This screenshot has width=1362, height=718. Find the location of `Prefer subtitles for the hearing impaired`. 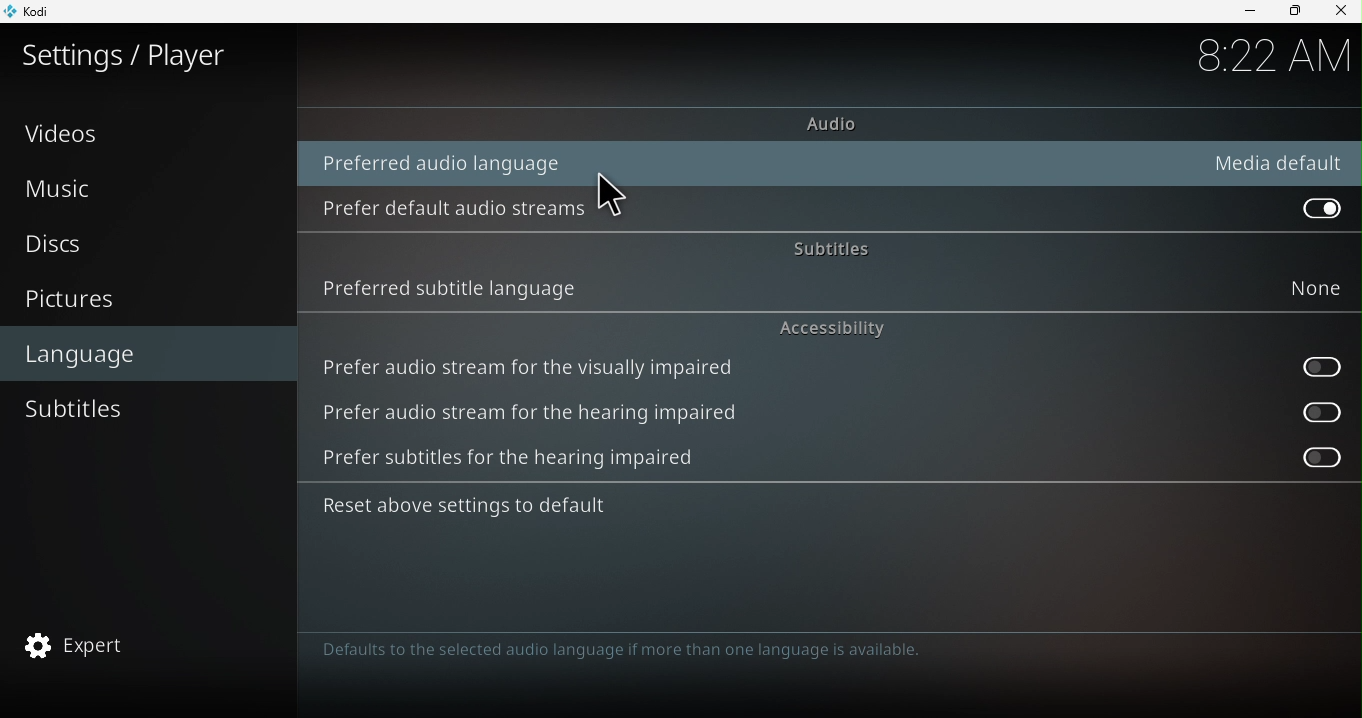

Prefer subtitles for the hearing impaired is located at coordinates (1304, 458).